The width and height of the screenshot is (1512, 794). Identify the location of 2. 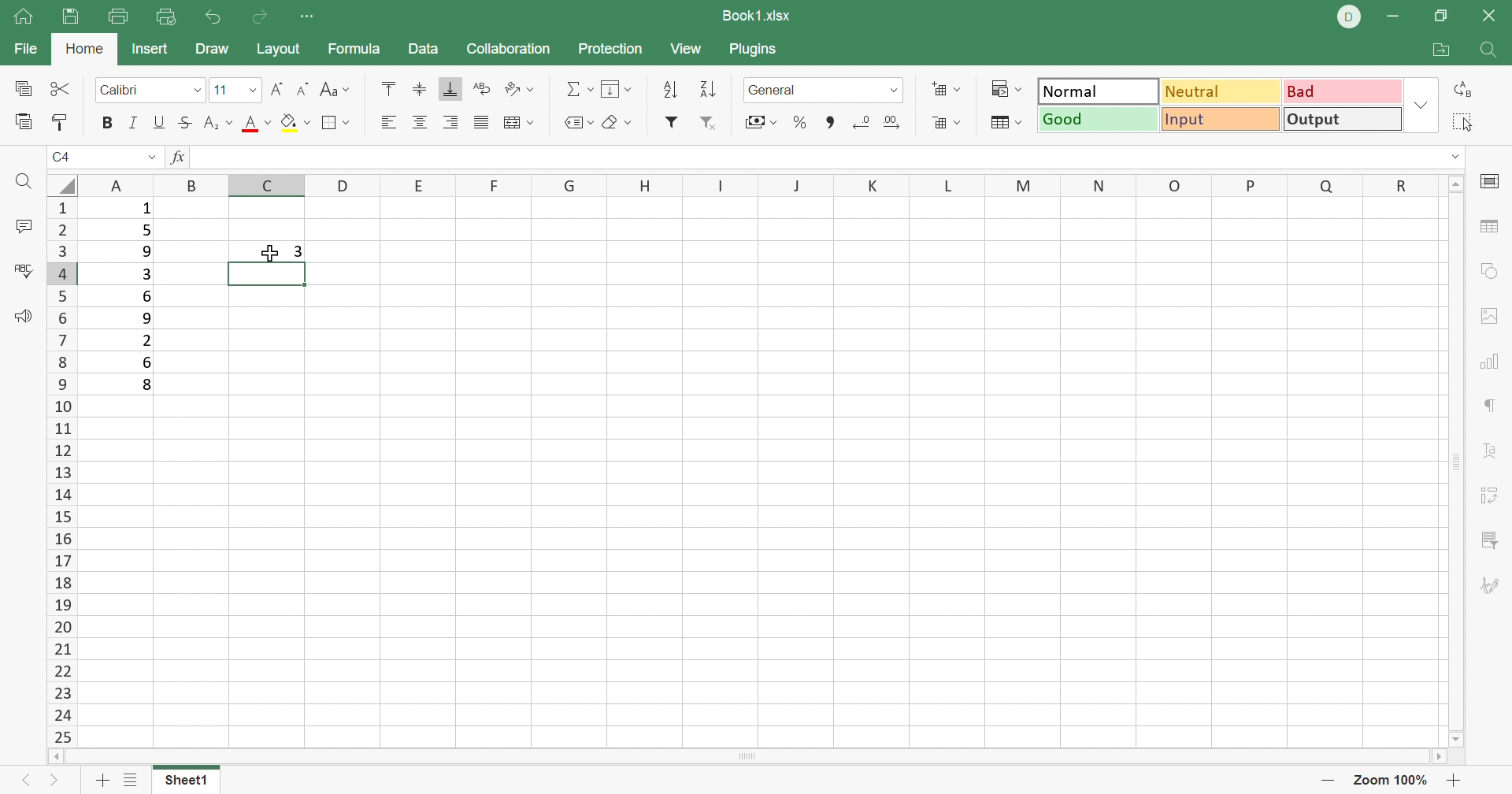
(146, 340).